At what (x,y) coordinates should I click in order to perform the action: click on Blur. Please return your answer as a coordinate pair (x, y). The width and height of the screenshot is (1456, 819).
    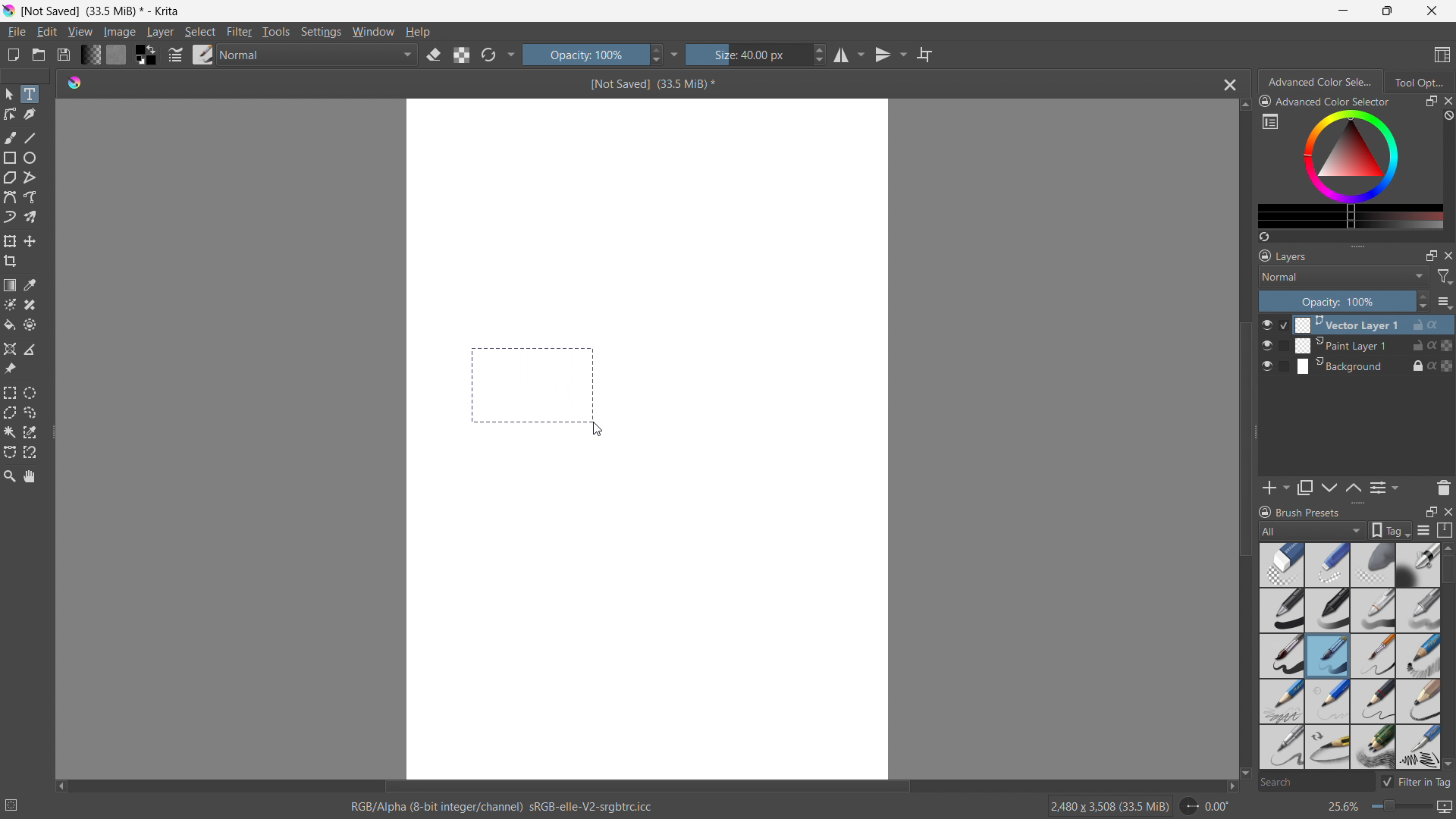
    Looking at the image, I should click on (1282, 564).